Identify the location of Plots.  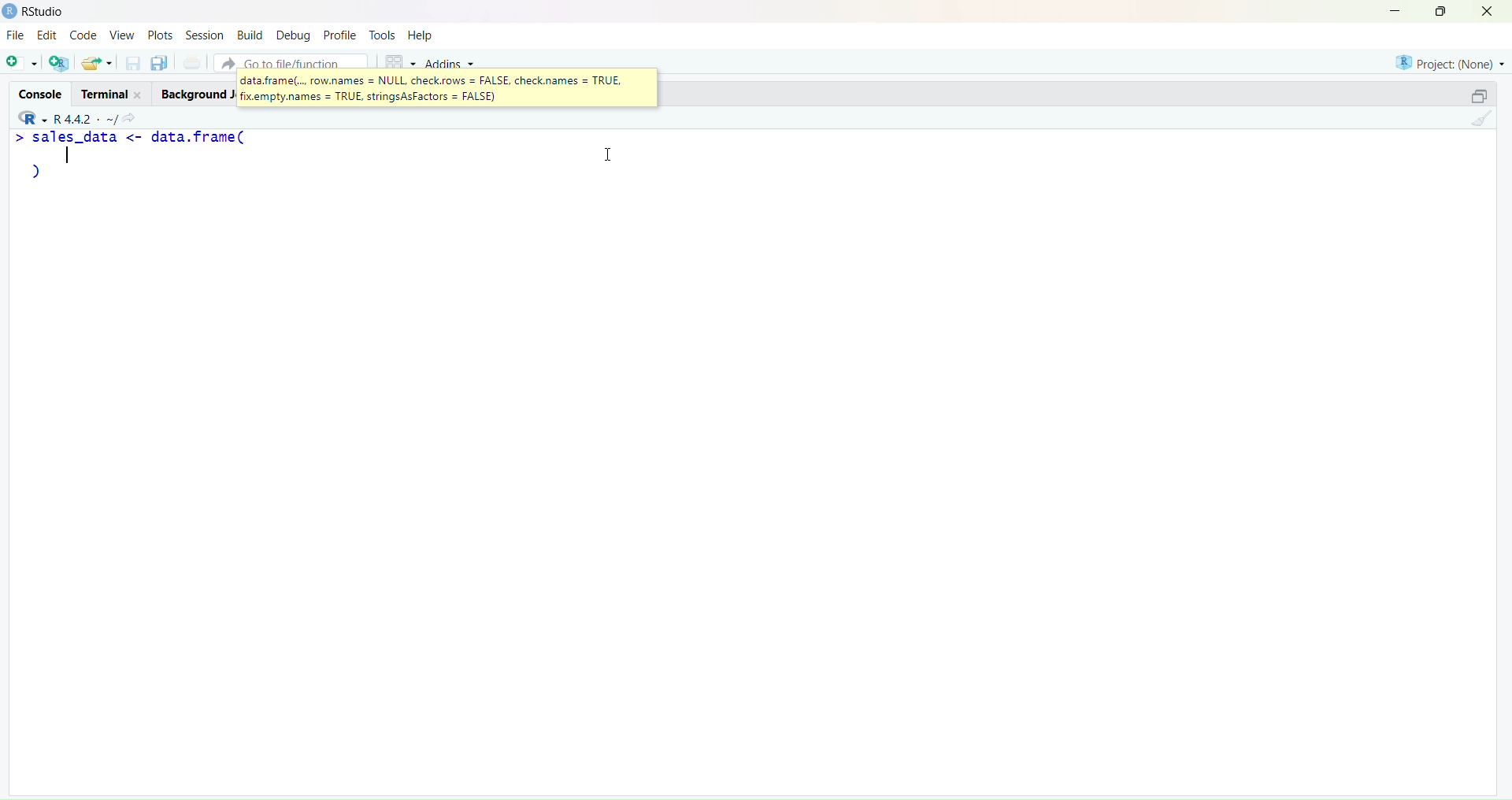
(160, 33).